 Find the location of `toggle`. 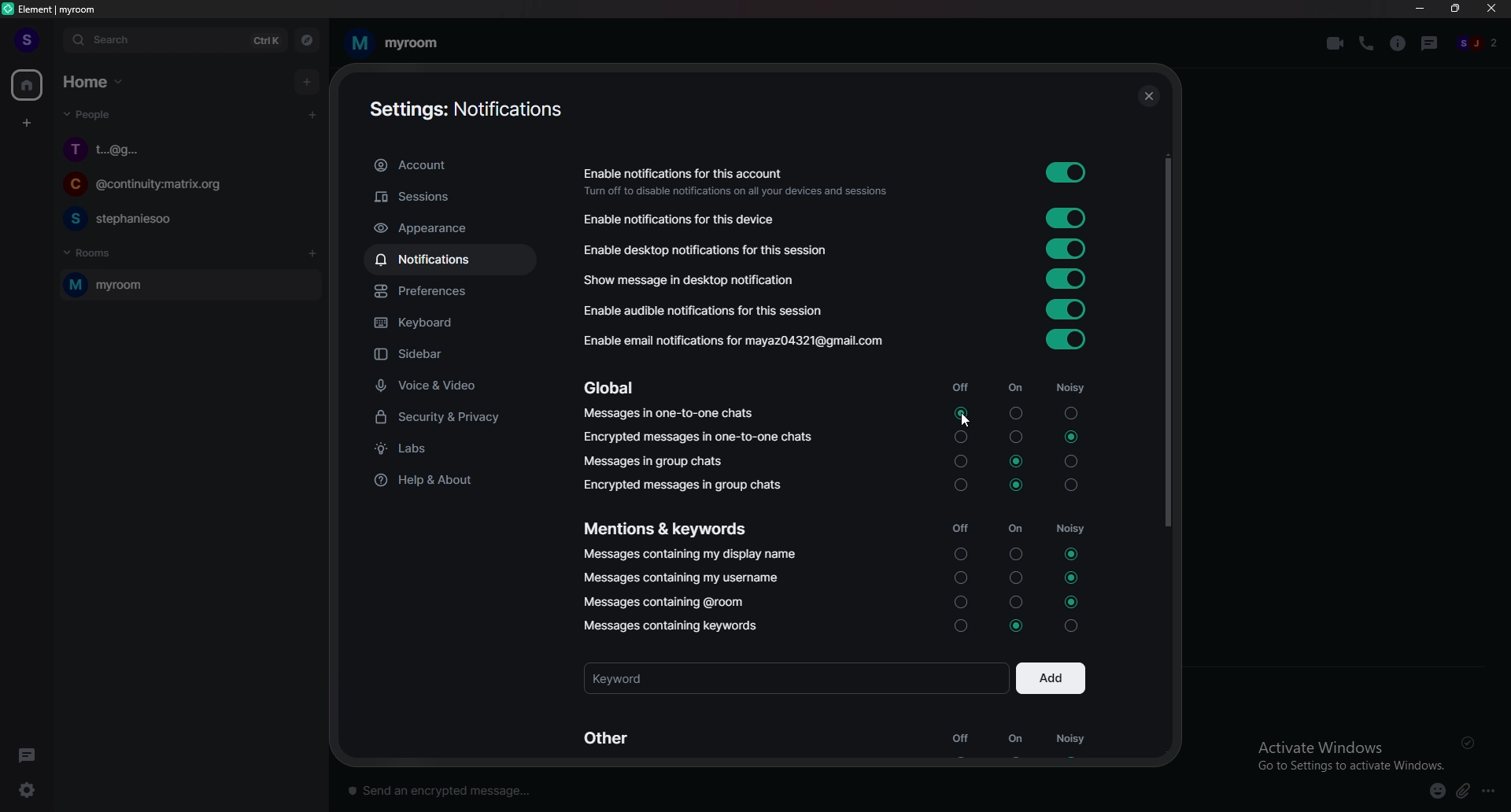

toggle is located at coordinates (1066, 308).